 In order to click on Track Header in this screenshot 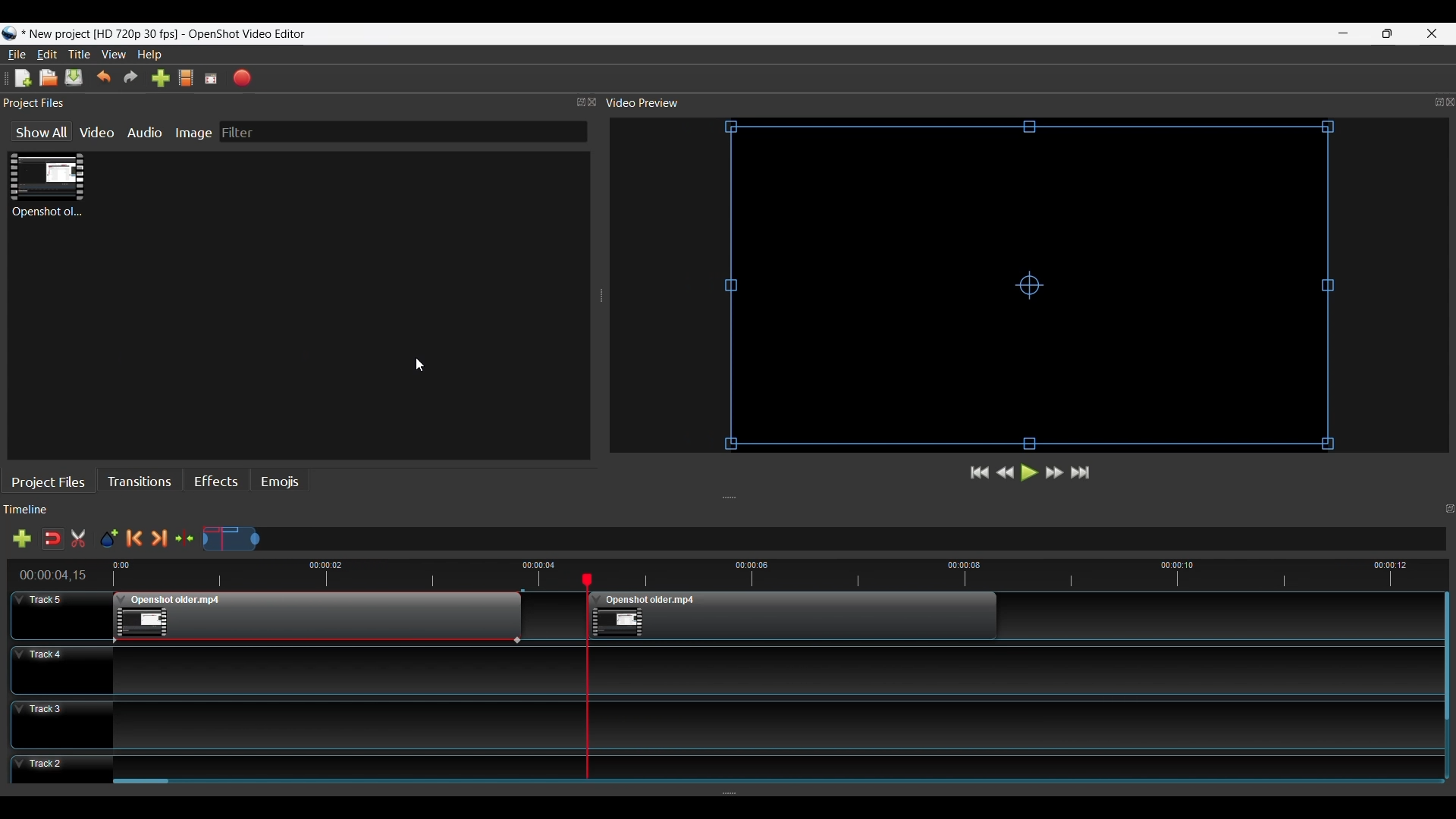, I will do `click(61, 723)`.